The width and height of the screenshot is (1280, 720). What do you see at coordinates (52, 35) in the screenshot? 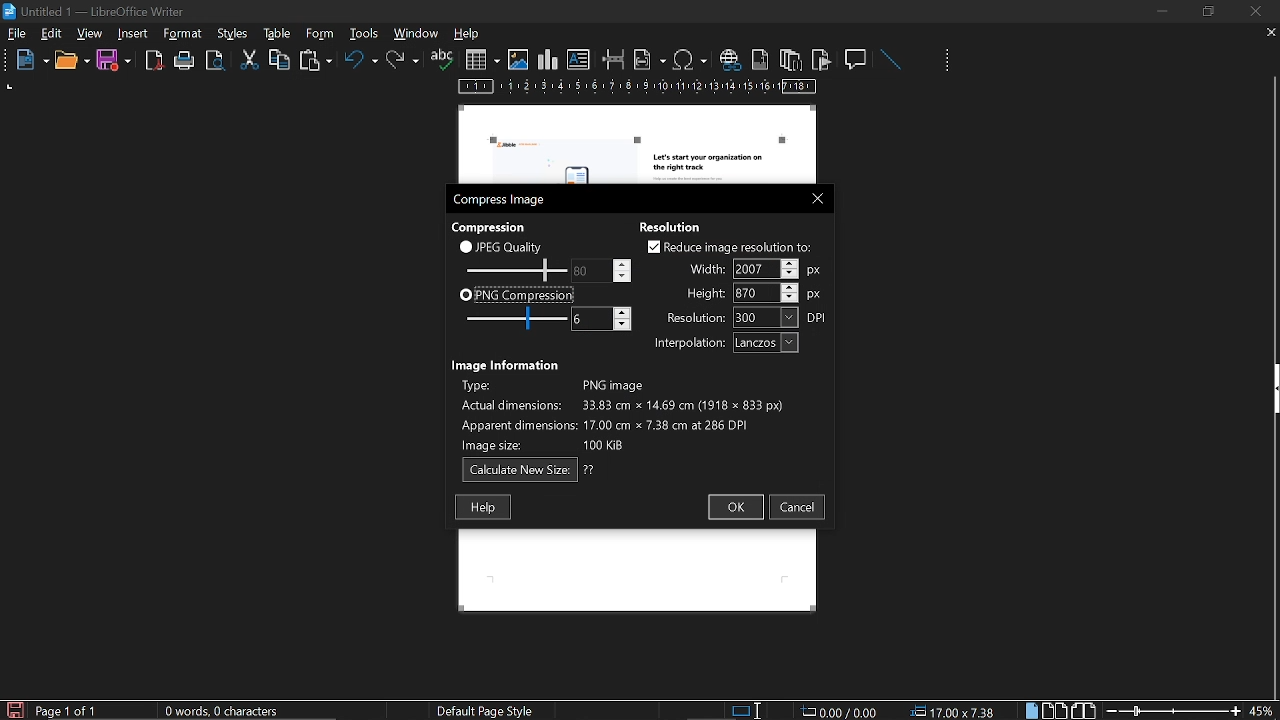
I see `edit` at bounding box center [52, 35].